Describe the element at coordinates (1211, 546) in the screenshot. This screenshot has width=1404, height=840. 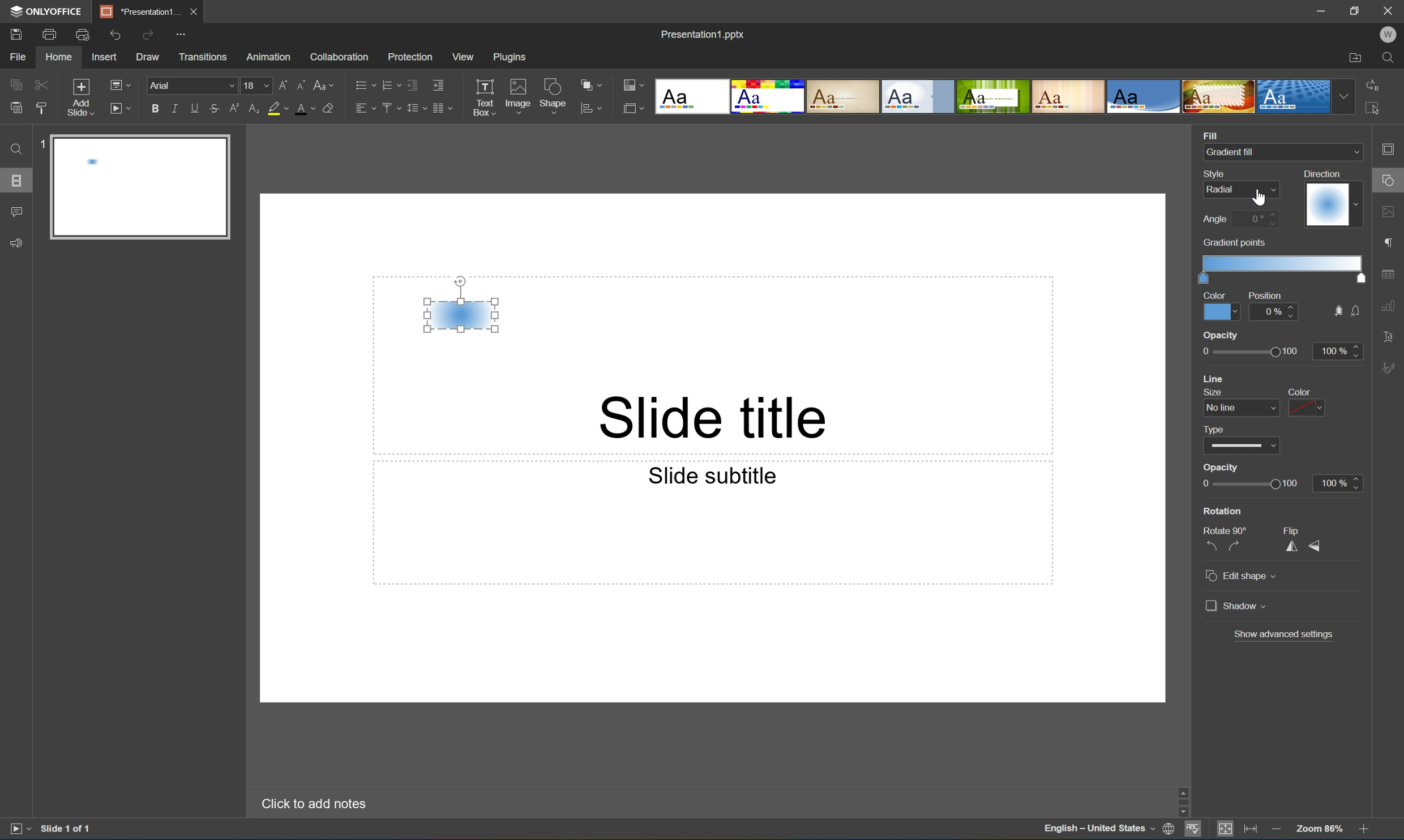
I see `Rotate 90° counterclockwise` at that location.